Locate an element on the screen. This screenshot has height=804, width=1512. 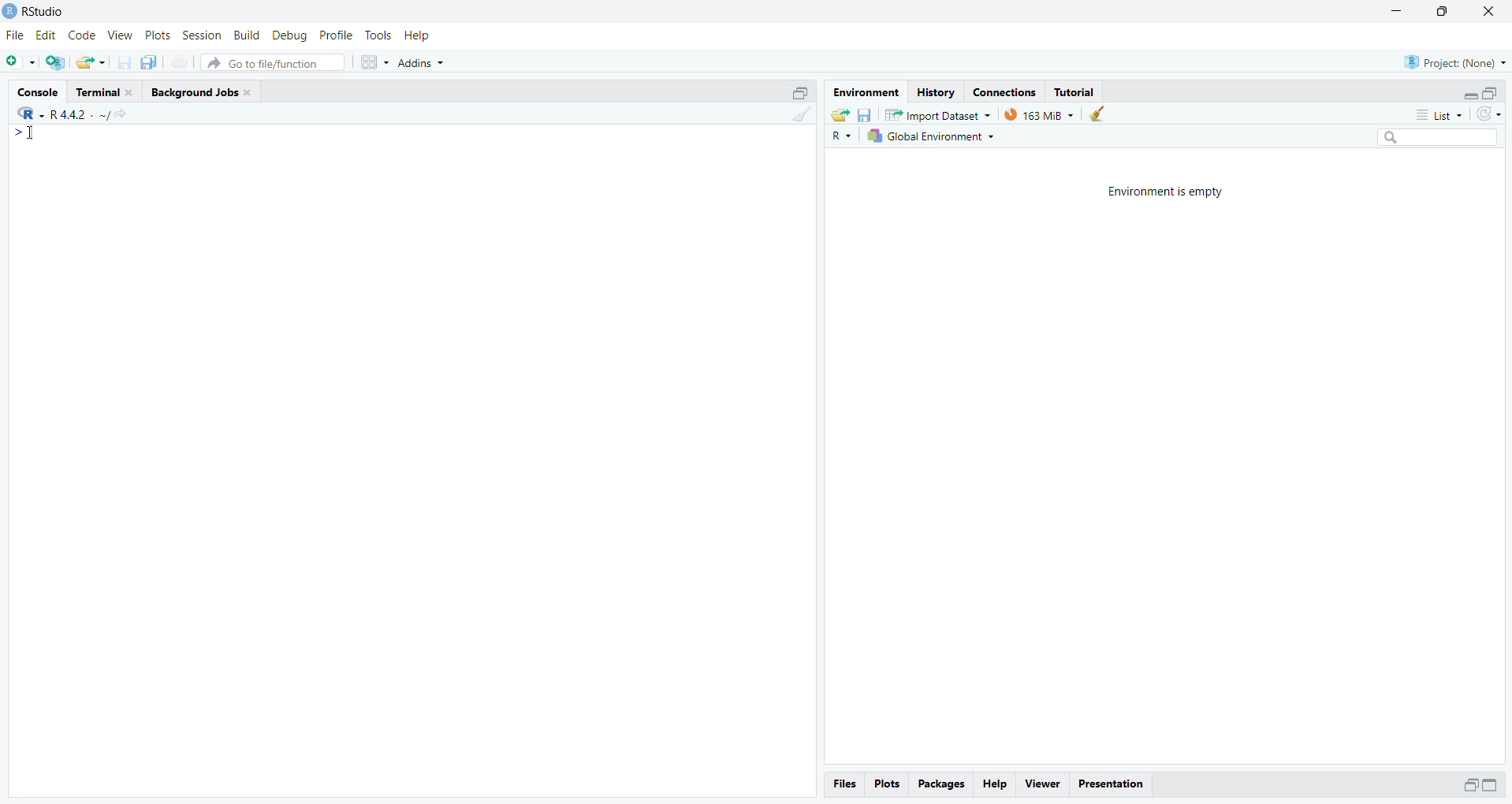
help is located at coordinates (994, 784).